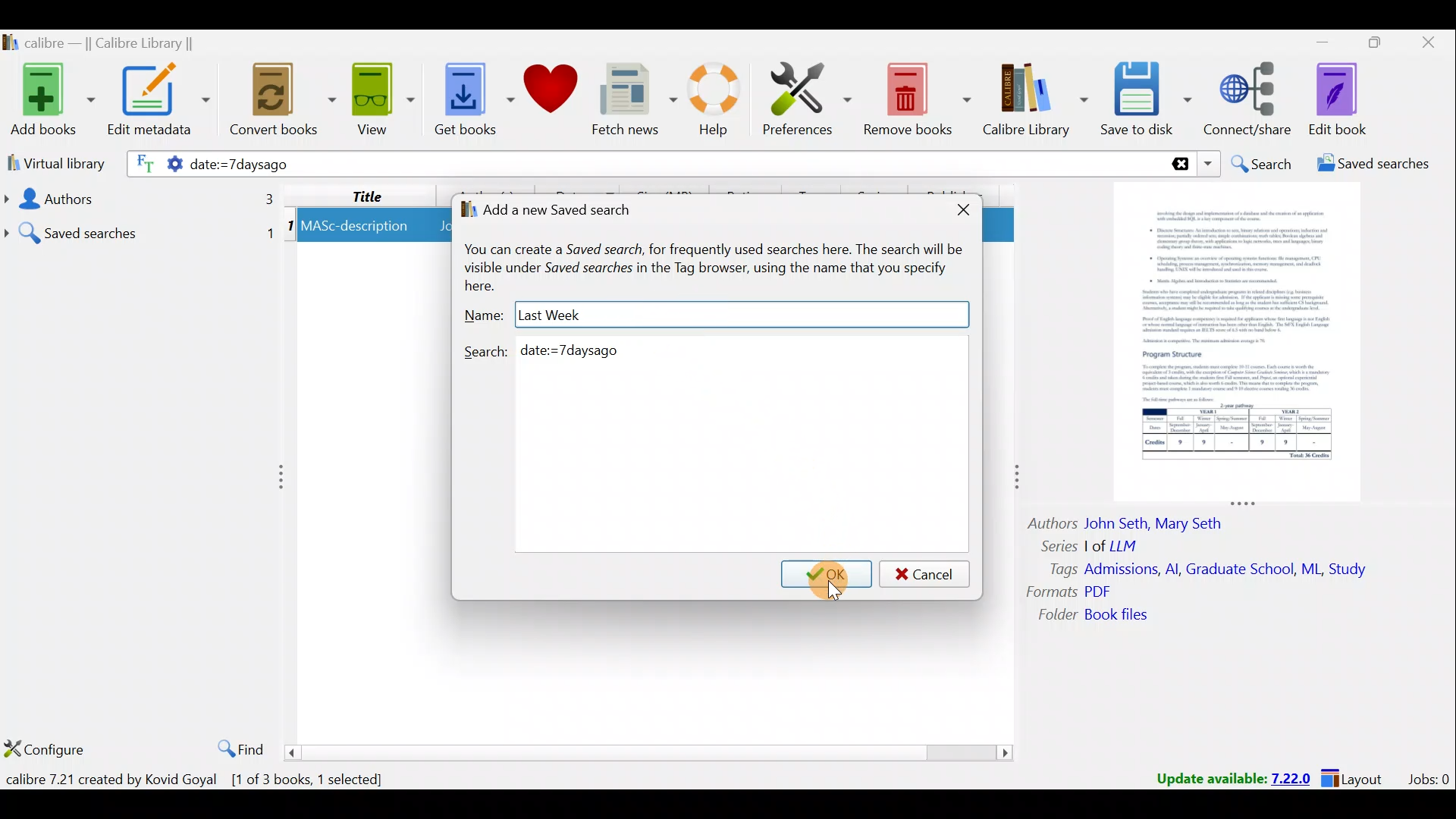 The width and height of the screenshot is (1456, 819). I want to click on Minimize, so click(1314, 42).